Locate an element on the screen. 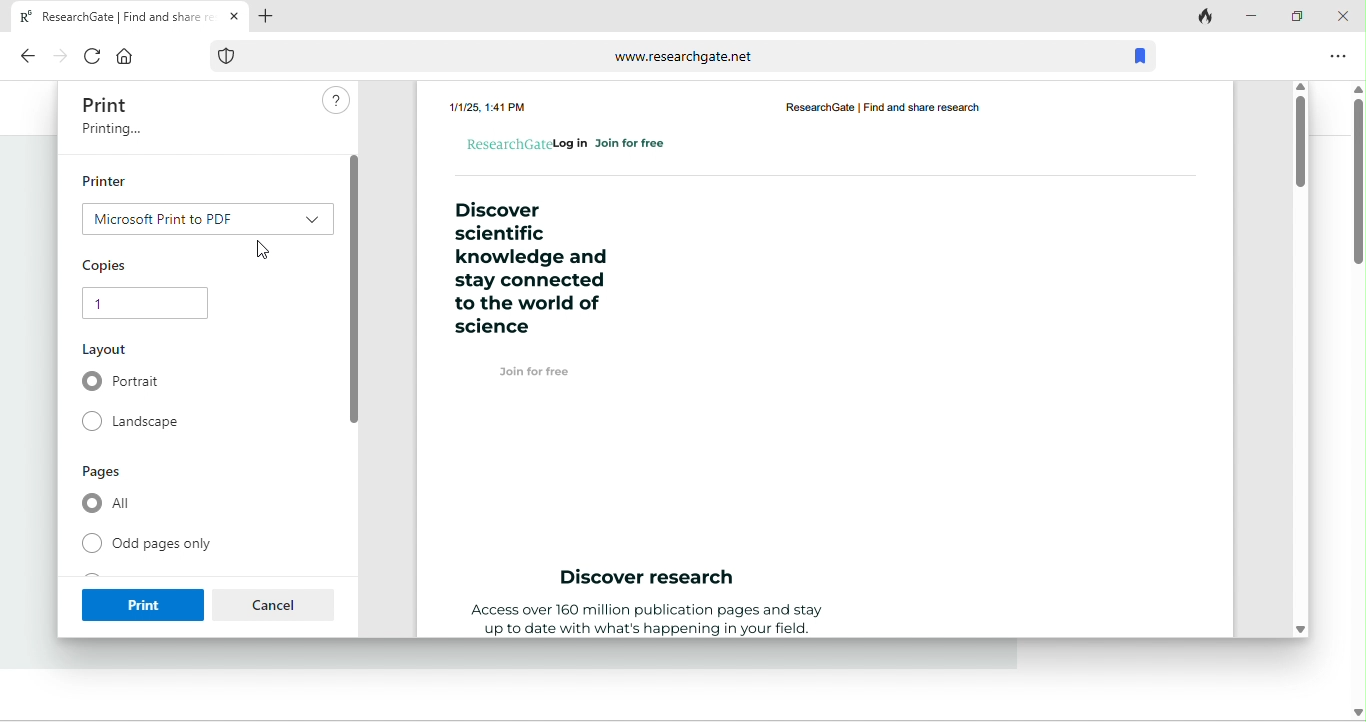 The image size is (1366, 722). print is located at coordinates (108, 104).